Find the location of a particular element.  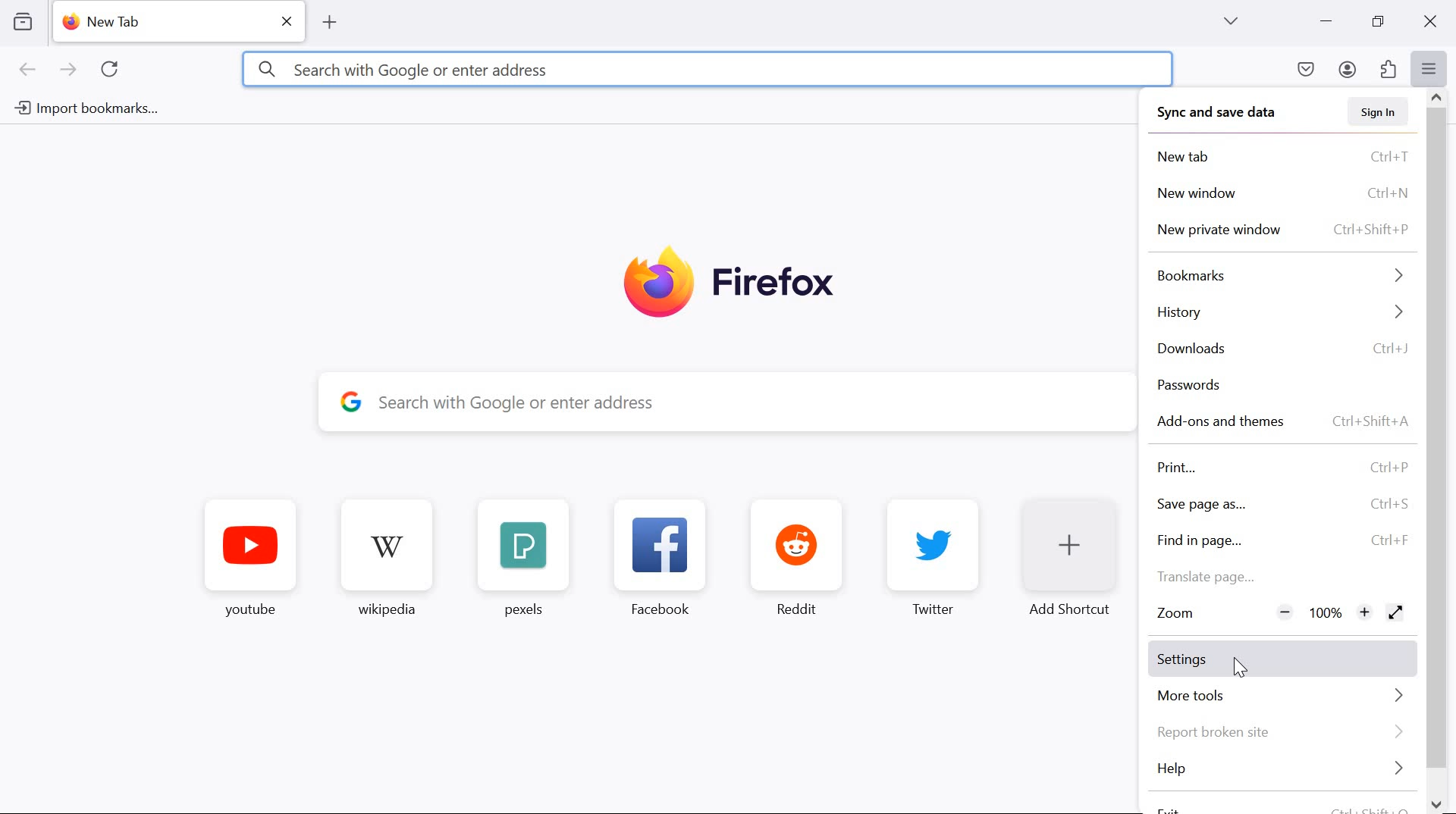

open application menu is located at coordinates (1432, 68).